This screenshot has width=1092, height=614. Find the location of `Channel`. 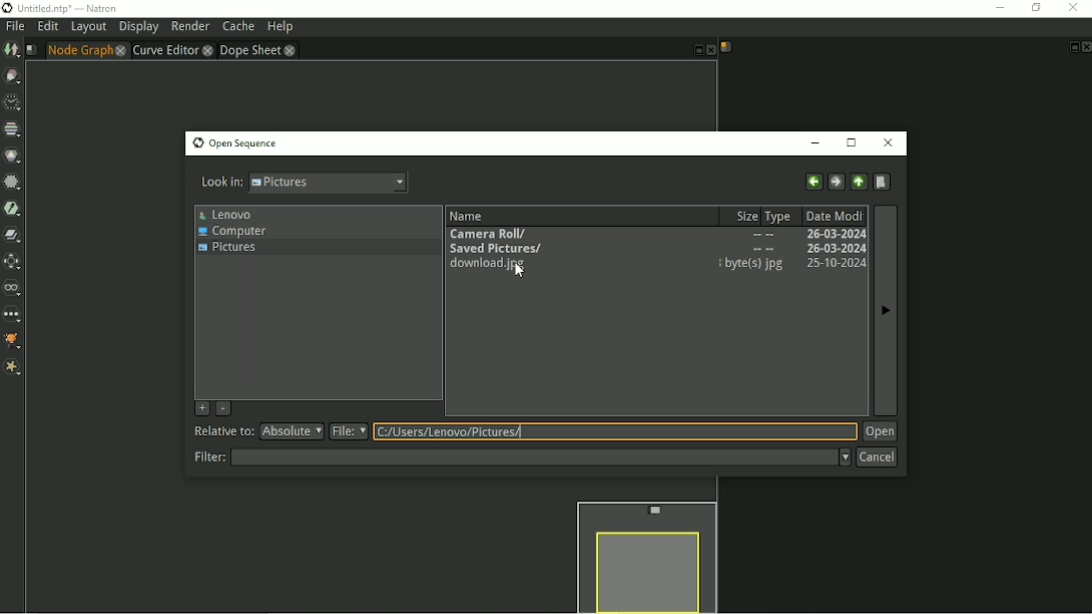

Channel is located at coordinates (12, 129).